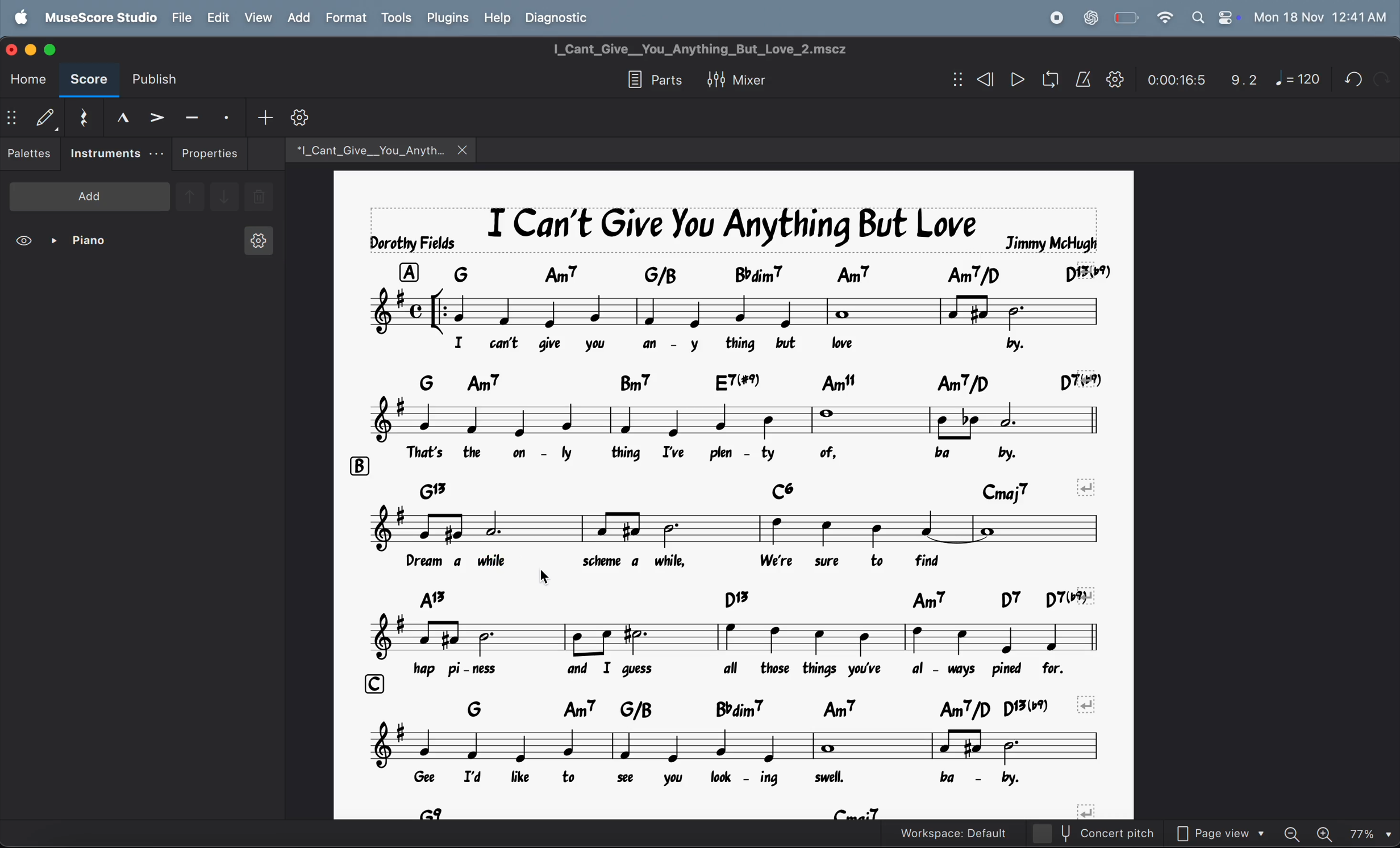 The width and height of the screenshot is (1400, 848). I want to click on add, so click(299, 19).